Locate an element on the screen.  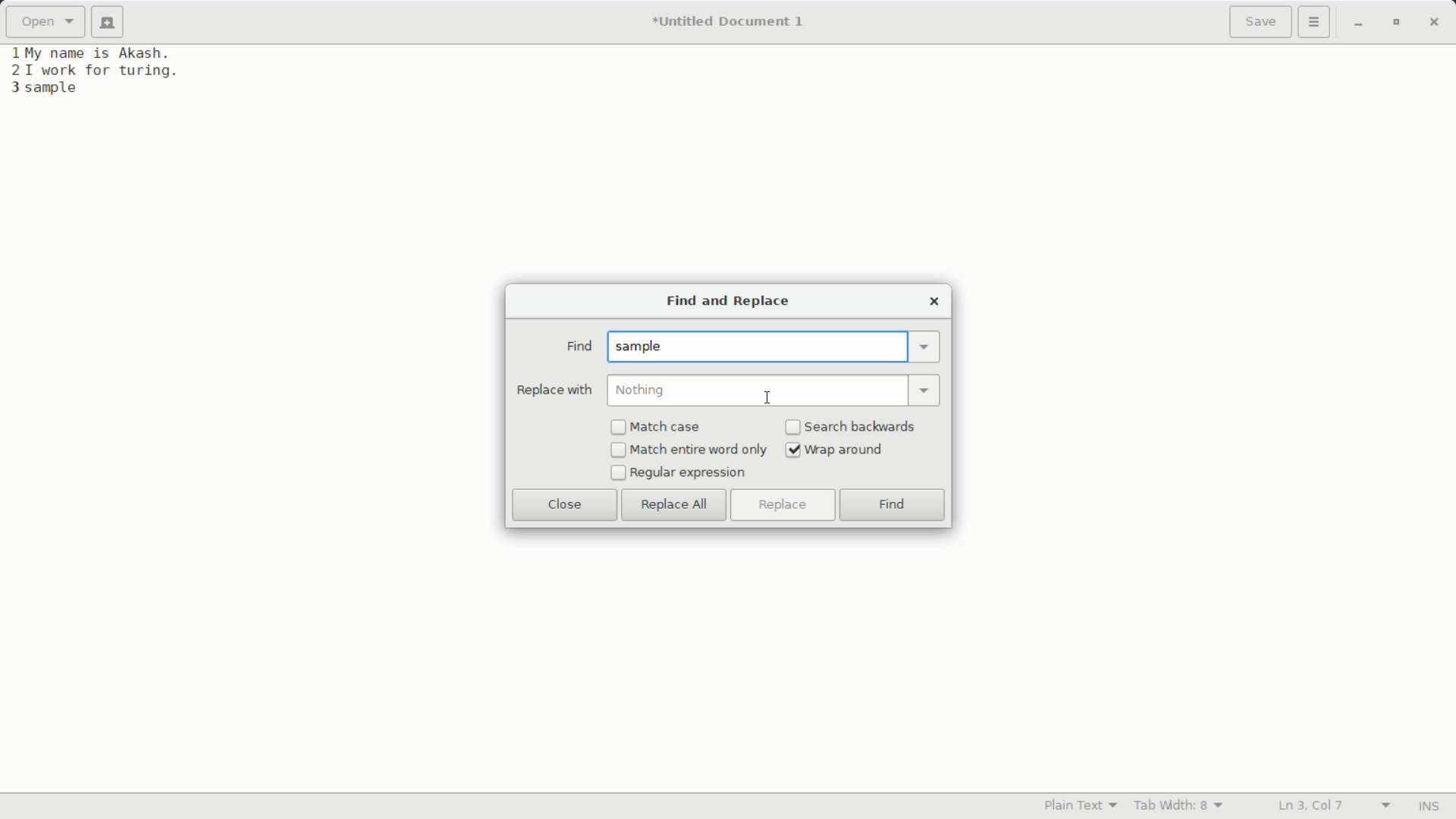
new document is located at coordinates (112, 22).